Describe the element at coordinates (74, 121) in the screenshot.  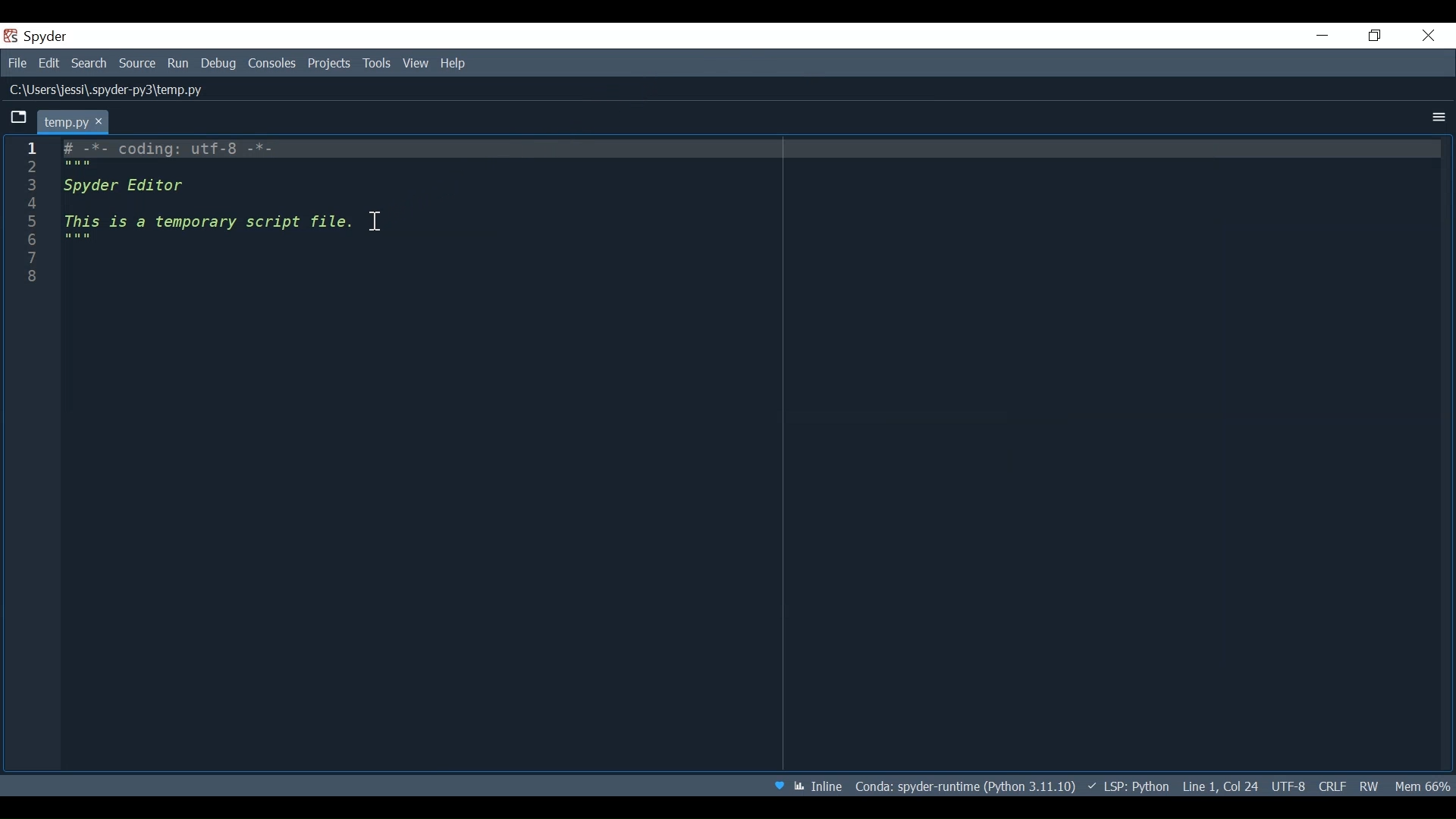
I see `Current Tab` at that location.